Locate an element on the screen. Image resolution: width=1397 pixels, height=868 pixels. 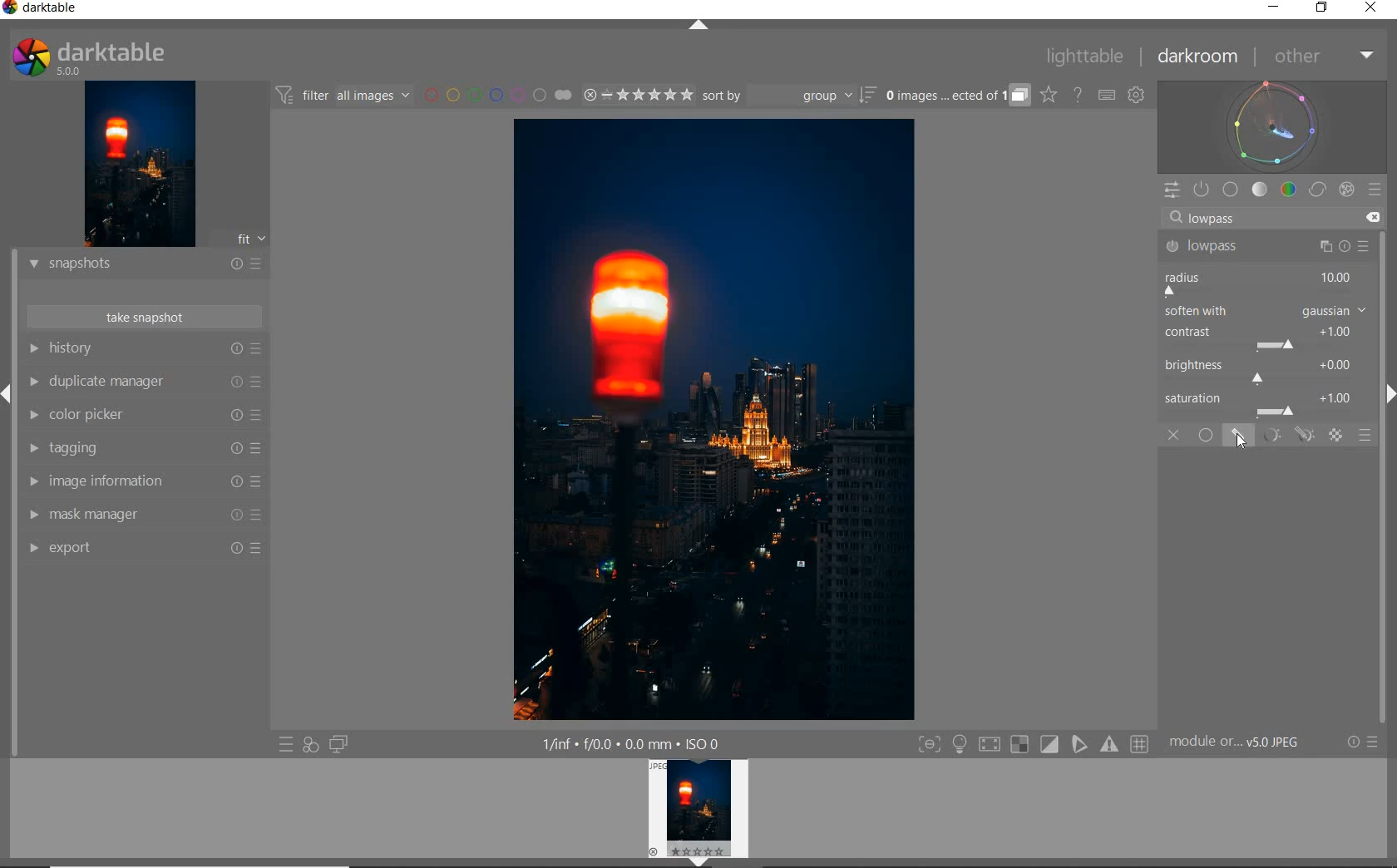
Preset and reset is located at coordinates (259, 382).